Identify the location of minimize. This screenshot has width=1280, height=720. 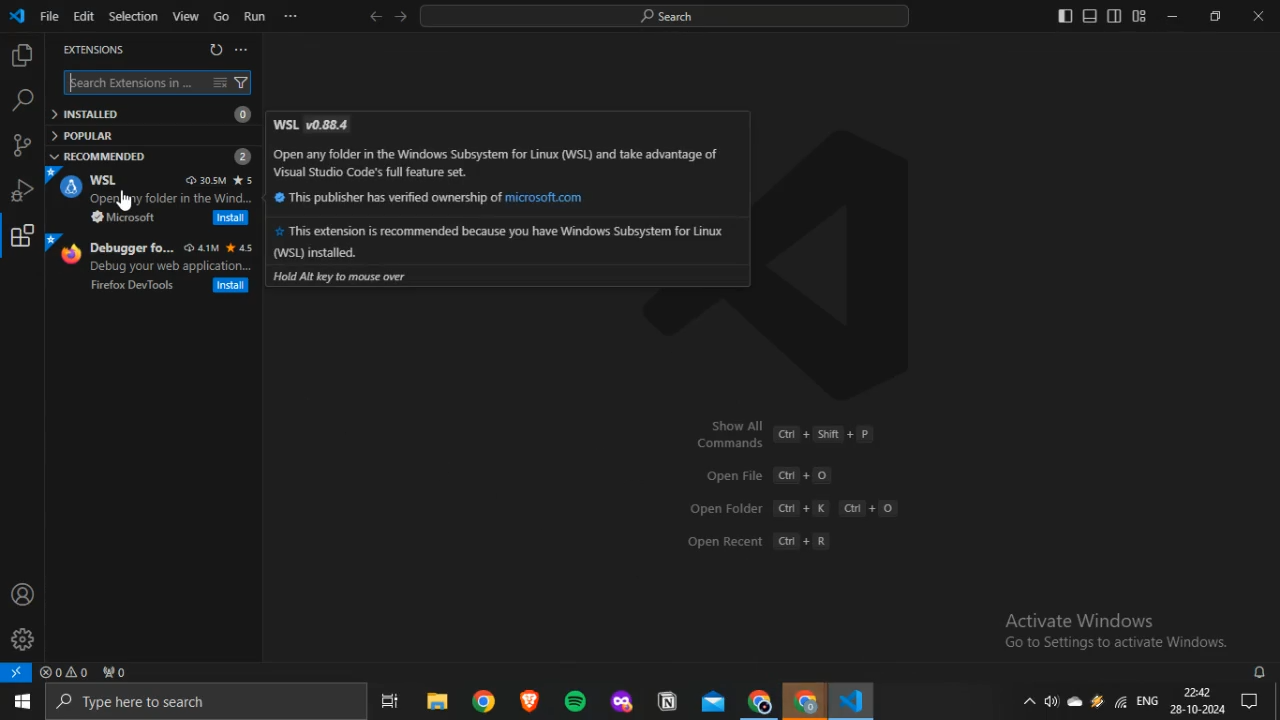
(1172, 16).